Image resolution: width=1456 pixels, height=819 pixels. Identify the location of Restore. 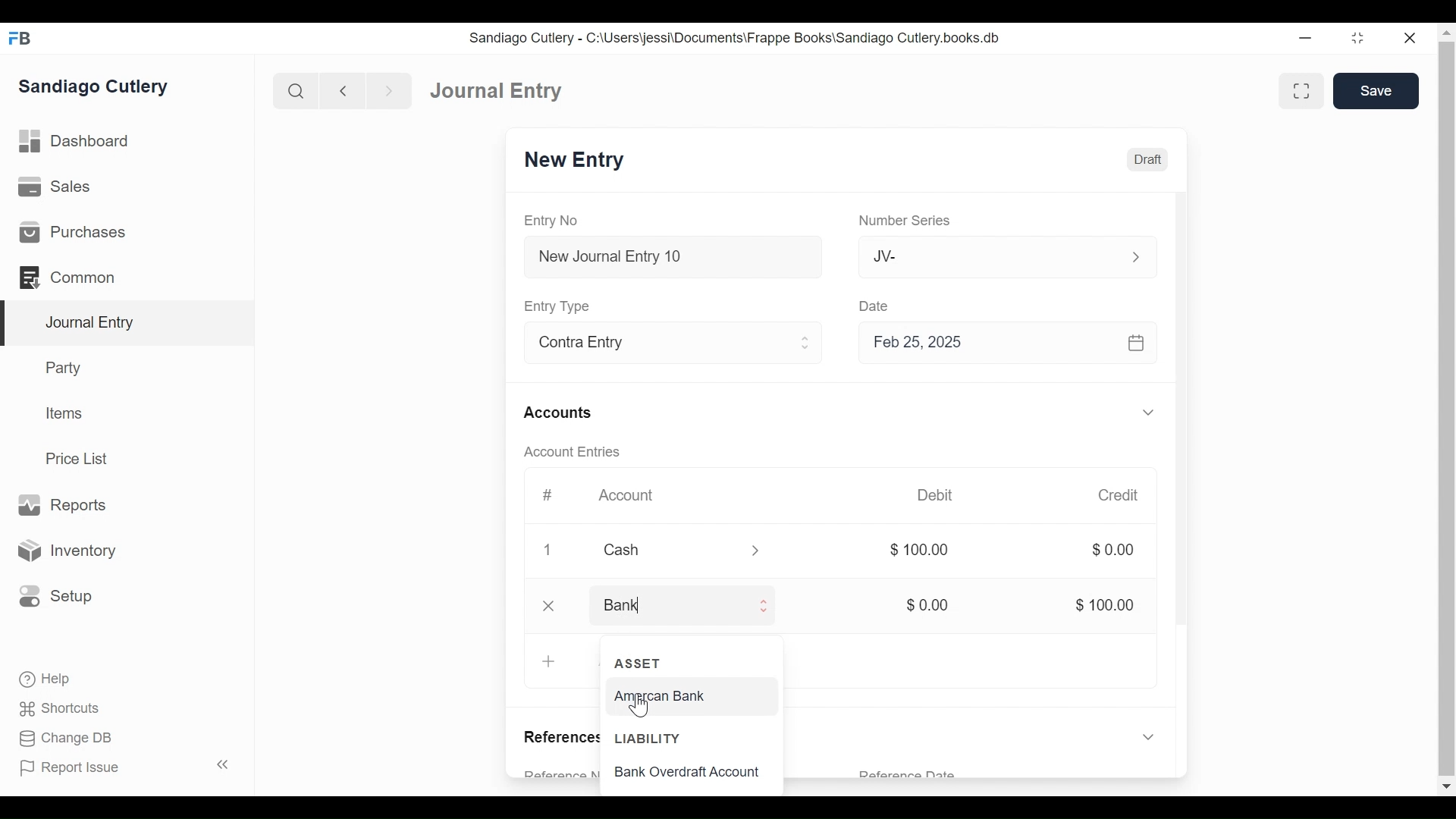
(1356, 38).